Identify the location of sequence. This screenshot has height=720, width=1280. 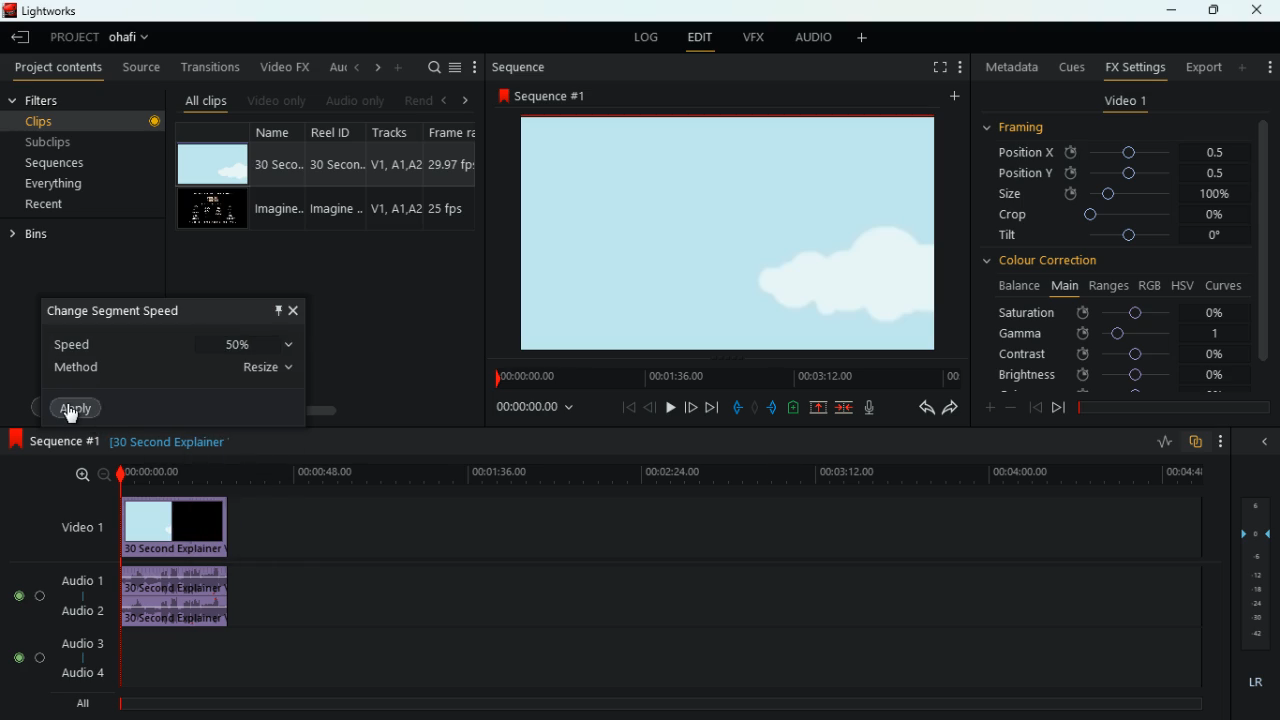
(542, 95).